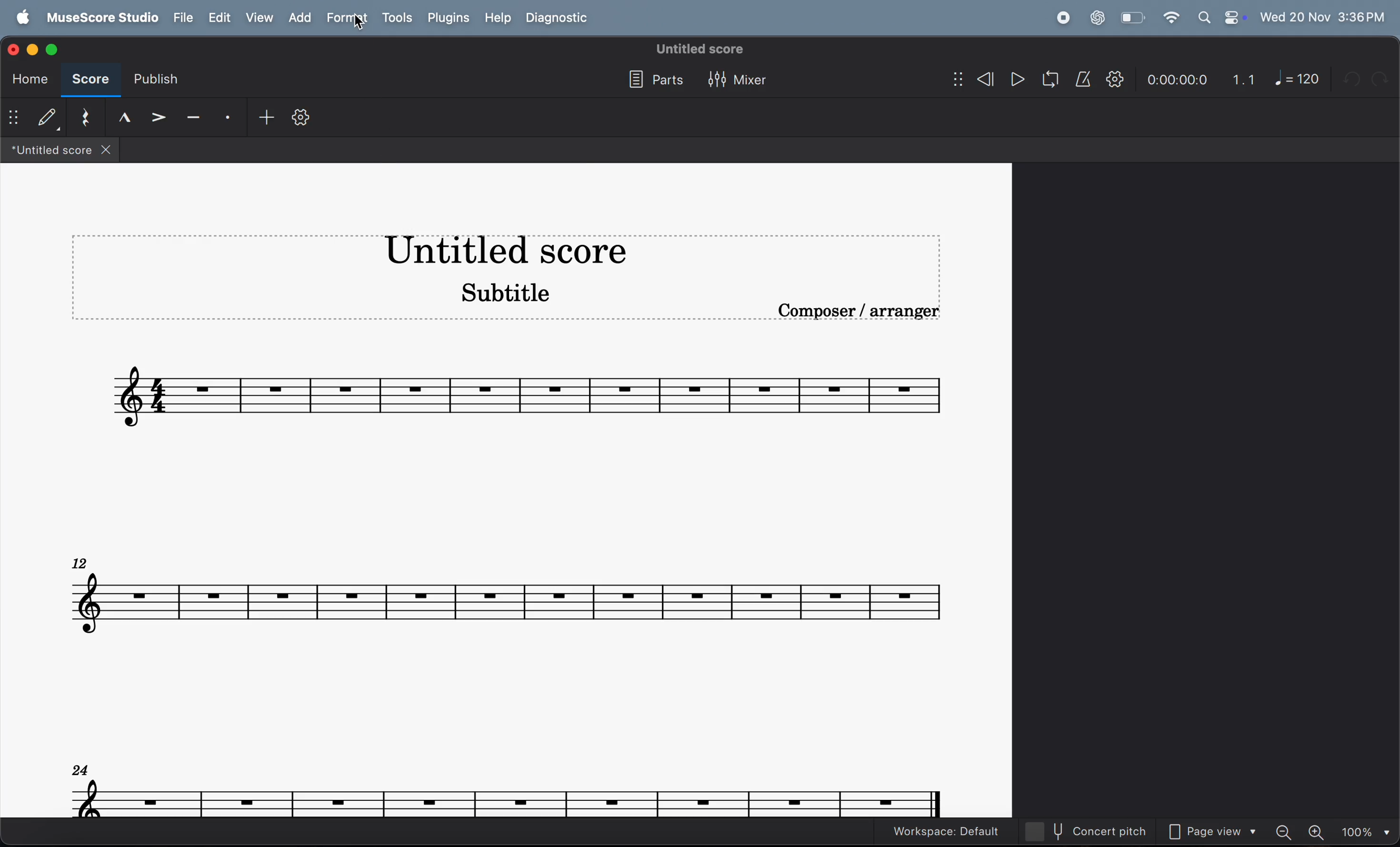  I want to click on accent, so click(160, 118).